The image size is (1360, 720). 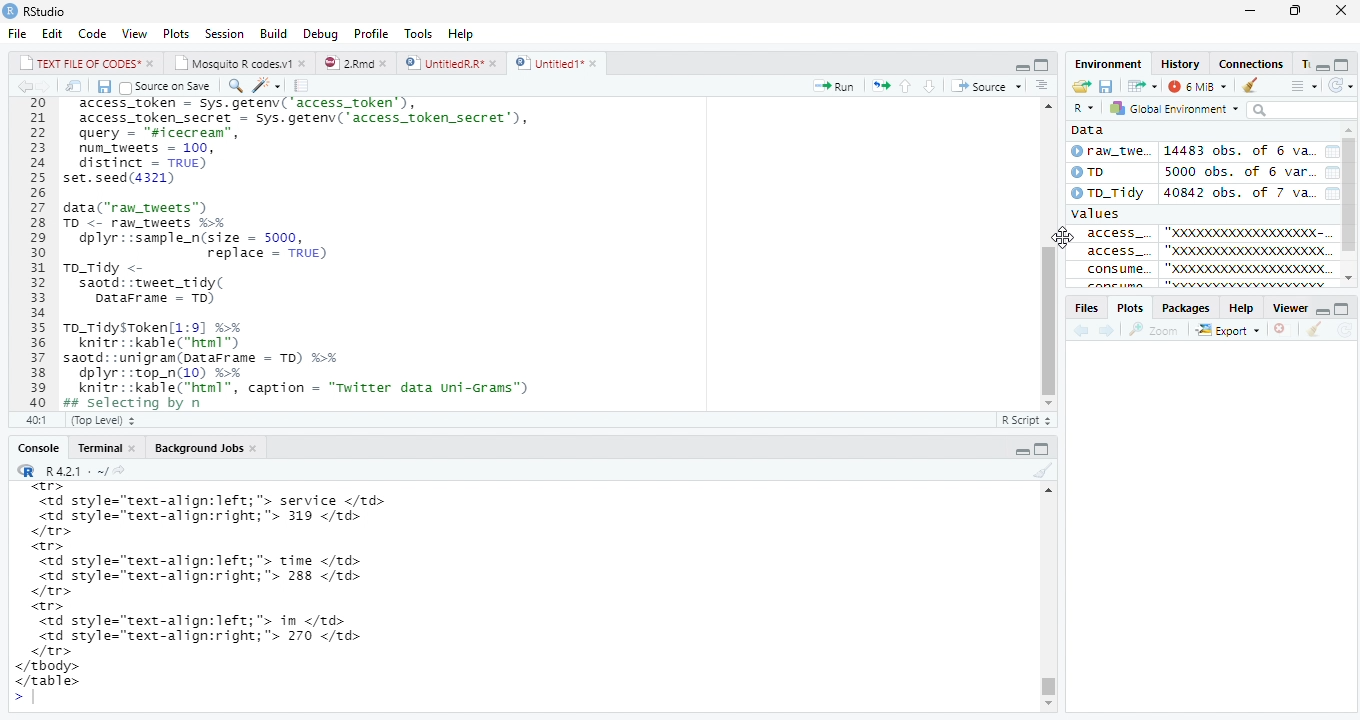 What do you see at coordinates (1178, 110) in the screenshot?
I see ` Global Environment ` at bounding box center [1178, 110].